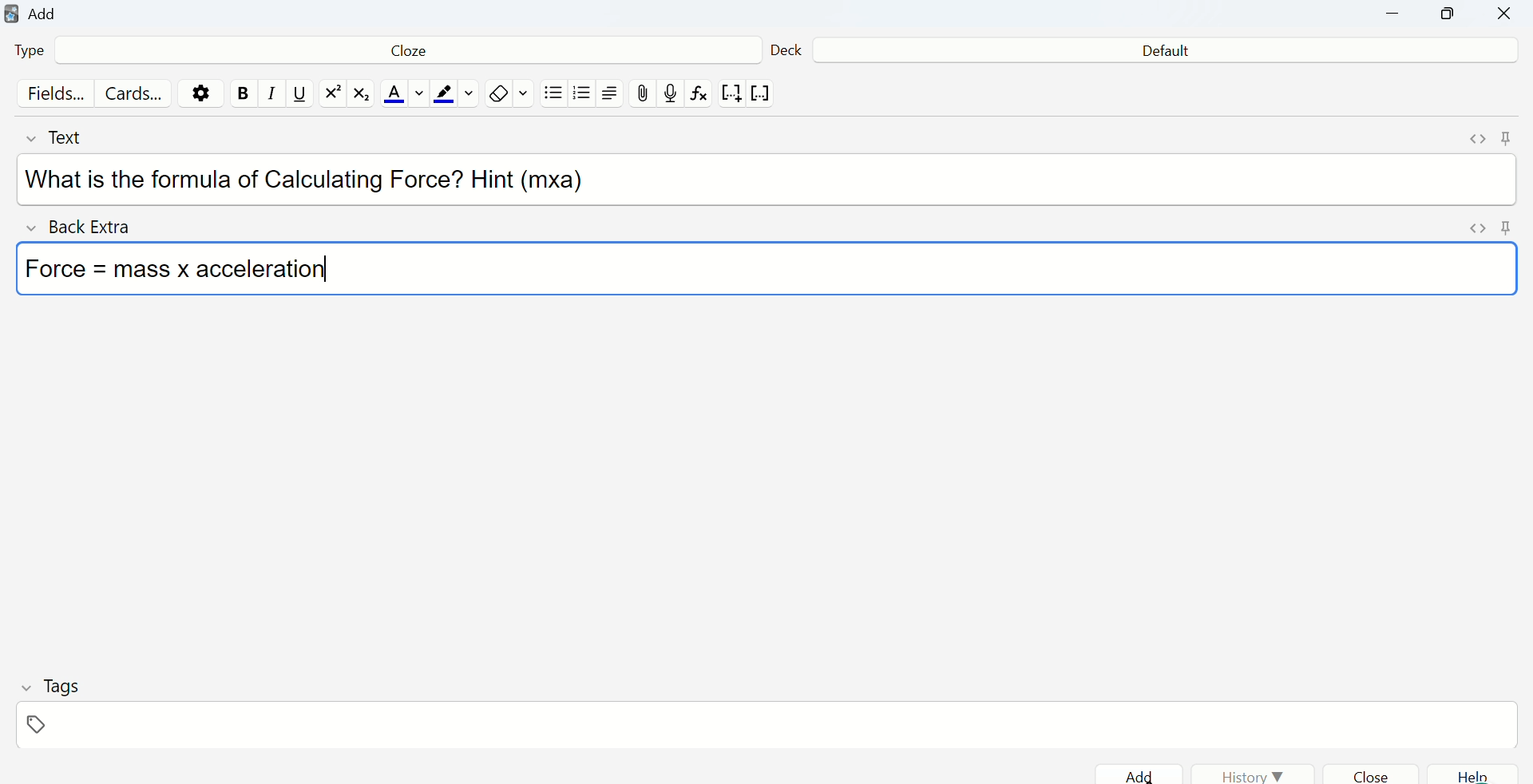 This screenshot has width=1533, height=784. What do you see at coordinates (204, 93) in the screenshot?
I see `Settings` at bounding box center [204, 93].